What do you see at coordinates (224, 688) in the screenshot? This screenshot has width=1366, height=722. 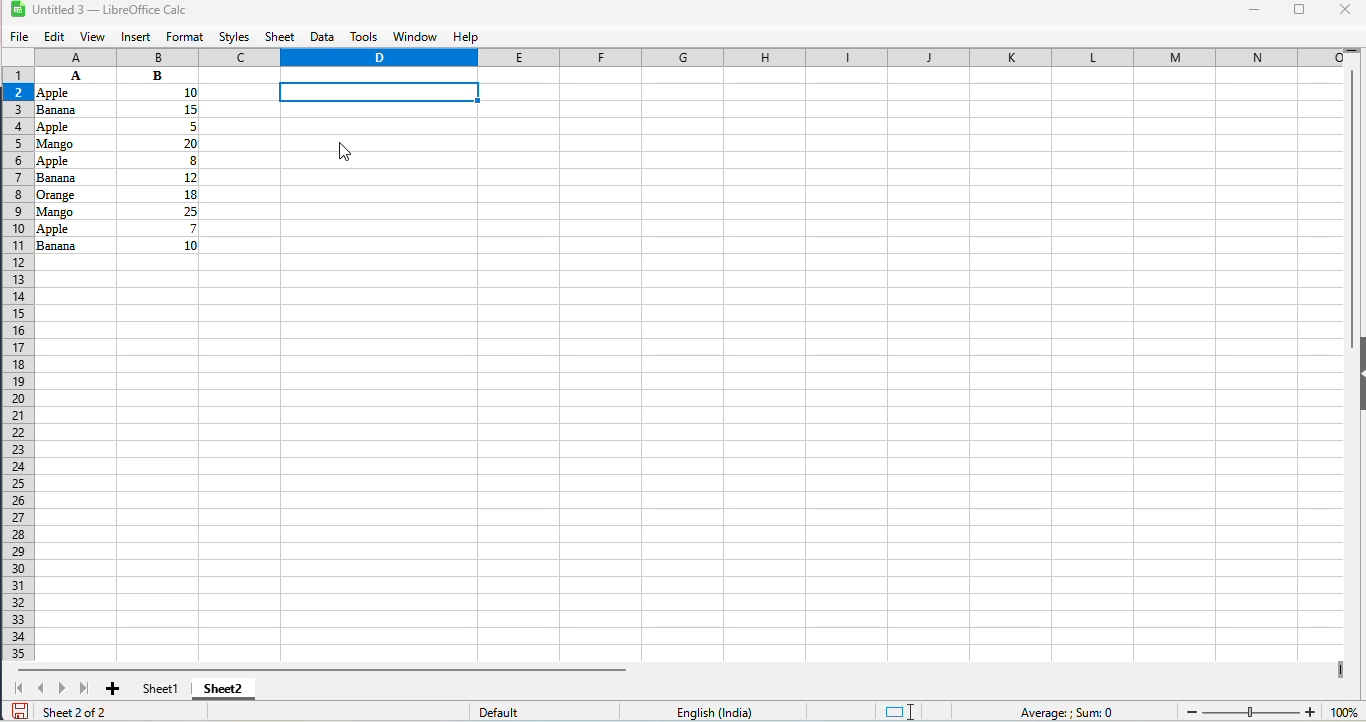 I see `sheet2` at bounding box center [224, 688].